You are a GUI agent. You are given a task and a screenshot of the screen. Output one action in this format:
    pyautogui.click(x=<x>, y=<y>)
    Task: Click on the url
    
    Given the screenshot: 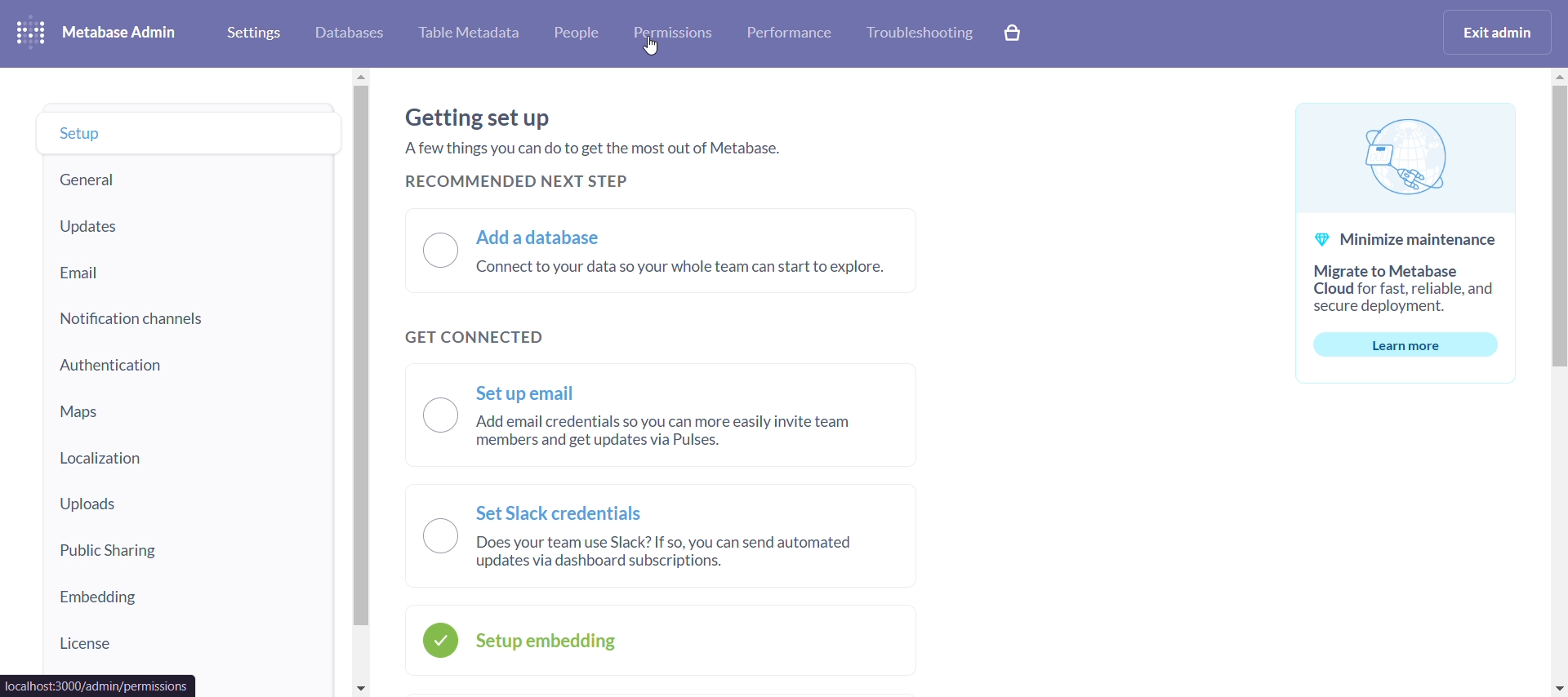 What is the action you would take?
    pyautogui.click(x=97, y=686)
    